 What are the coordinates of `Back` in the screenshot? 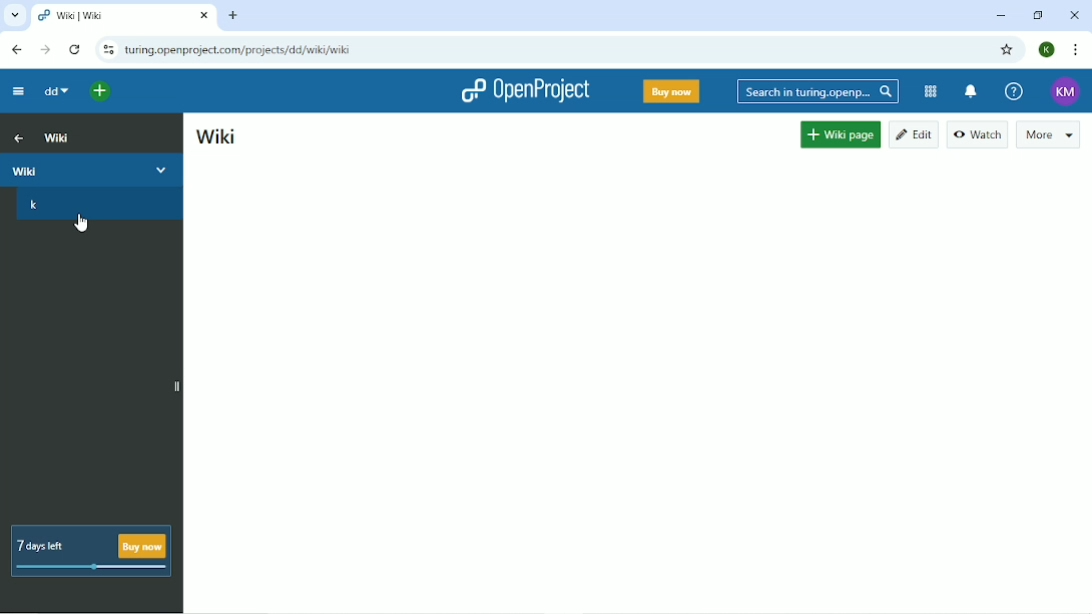 It's located at (15, 48).